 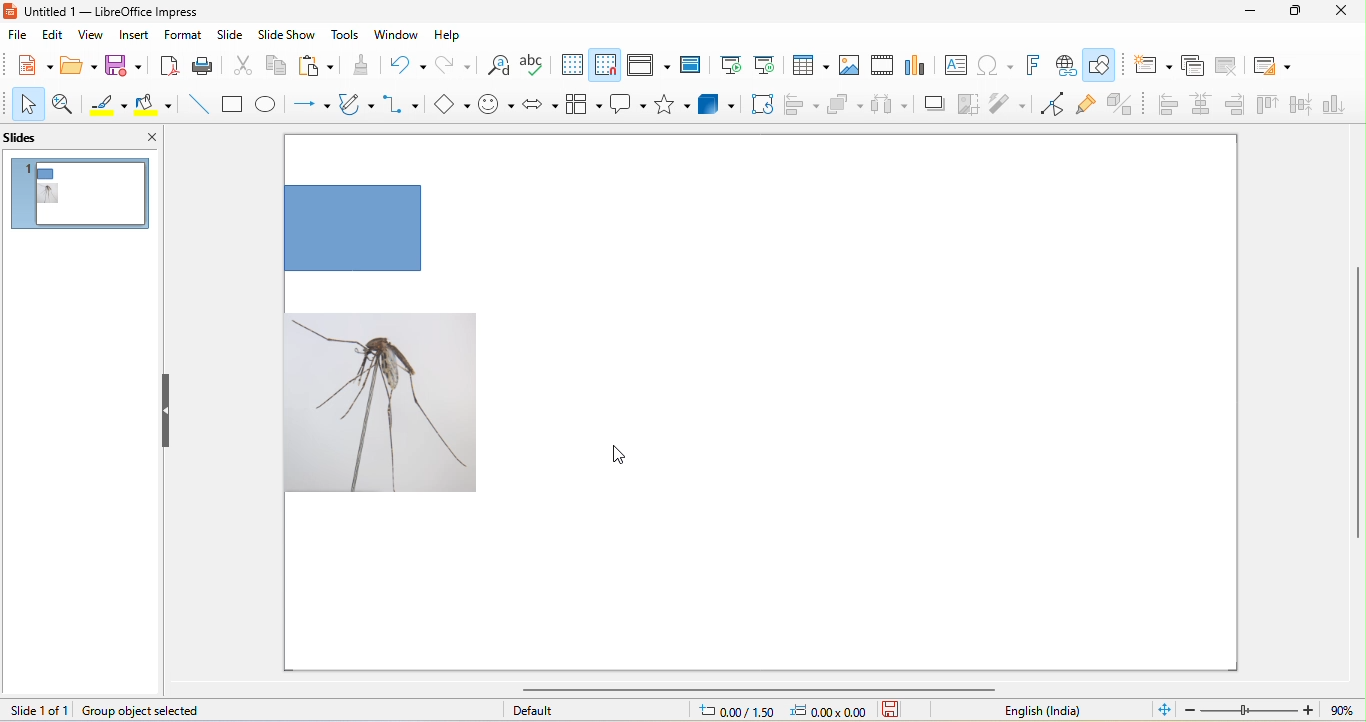 What do you see at coordinates (693, 64) in the screenshot?
I see `master slide` at bounding box center [693, 64].